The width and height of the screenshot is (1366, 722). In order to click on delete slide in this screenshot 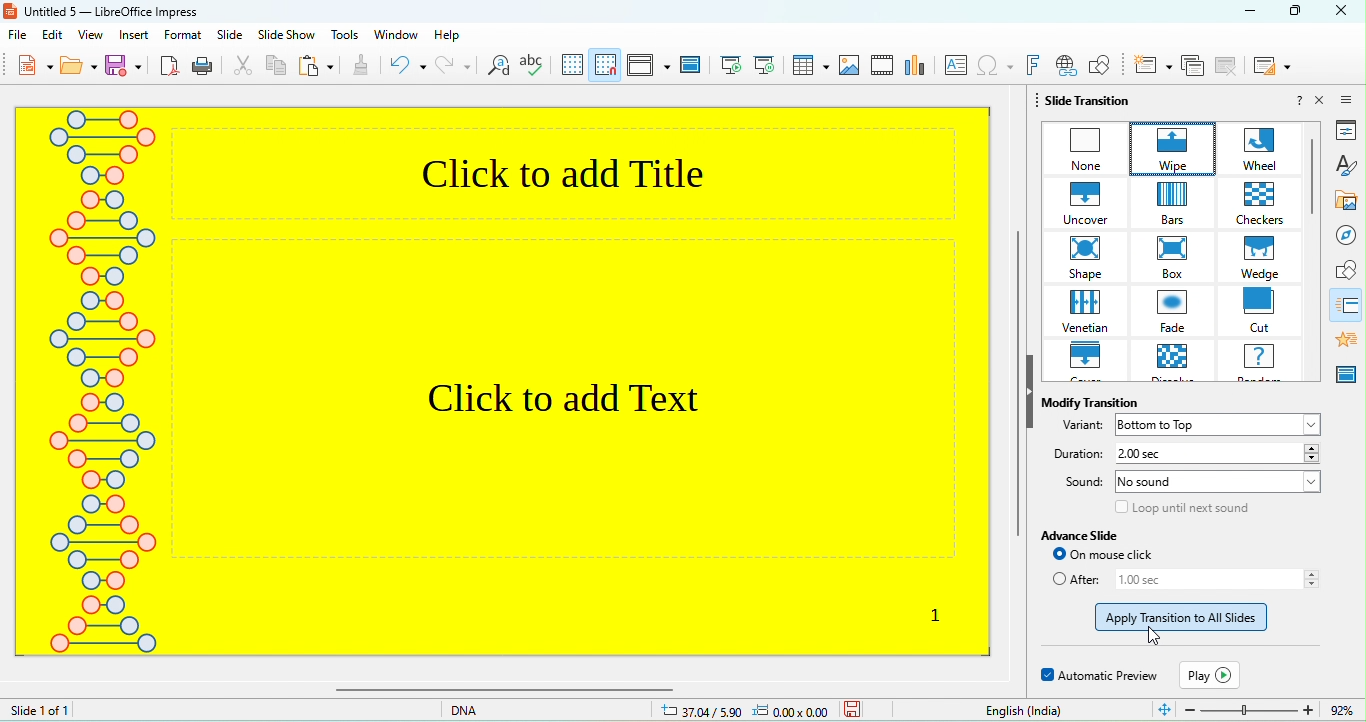, I will do `click(1225, 67)`.